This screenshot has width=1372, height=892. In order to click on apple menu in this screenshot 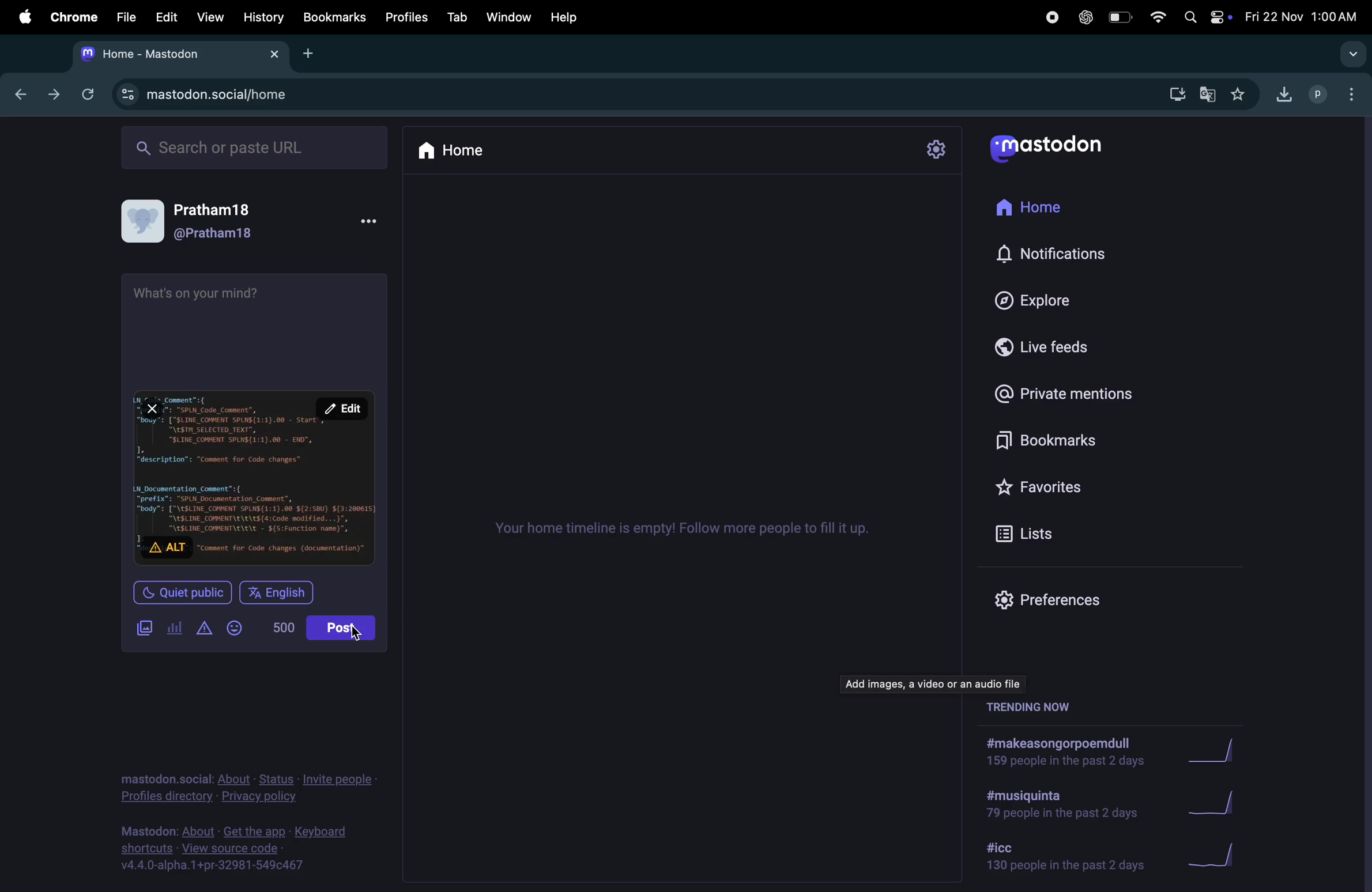, I will do `click(24, 18)`.